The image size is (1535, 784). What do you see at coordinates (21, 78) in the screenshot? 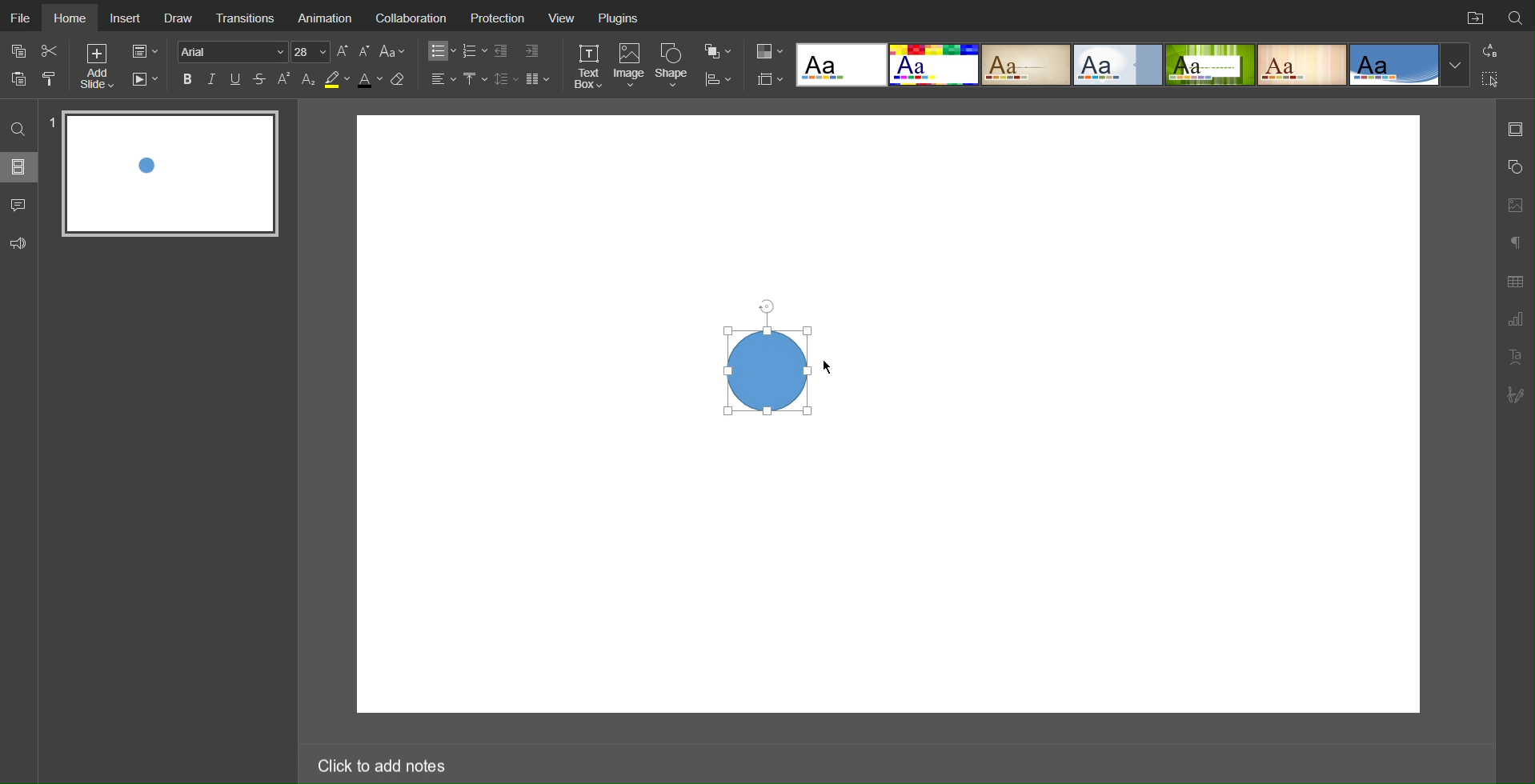
I see `paste` at bounding box center [21, 78].